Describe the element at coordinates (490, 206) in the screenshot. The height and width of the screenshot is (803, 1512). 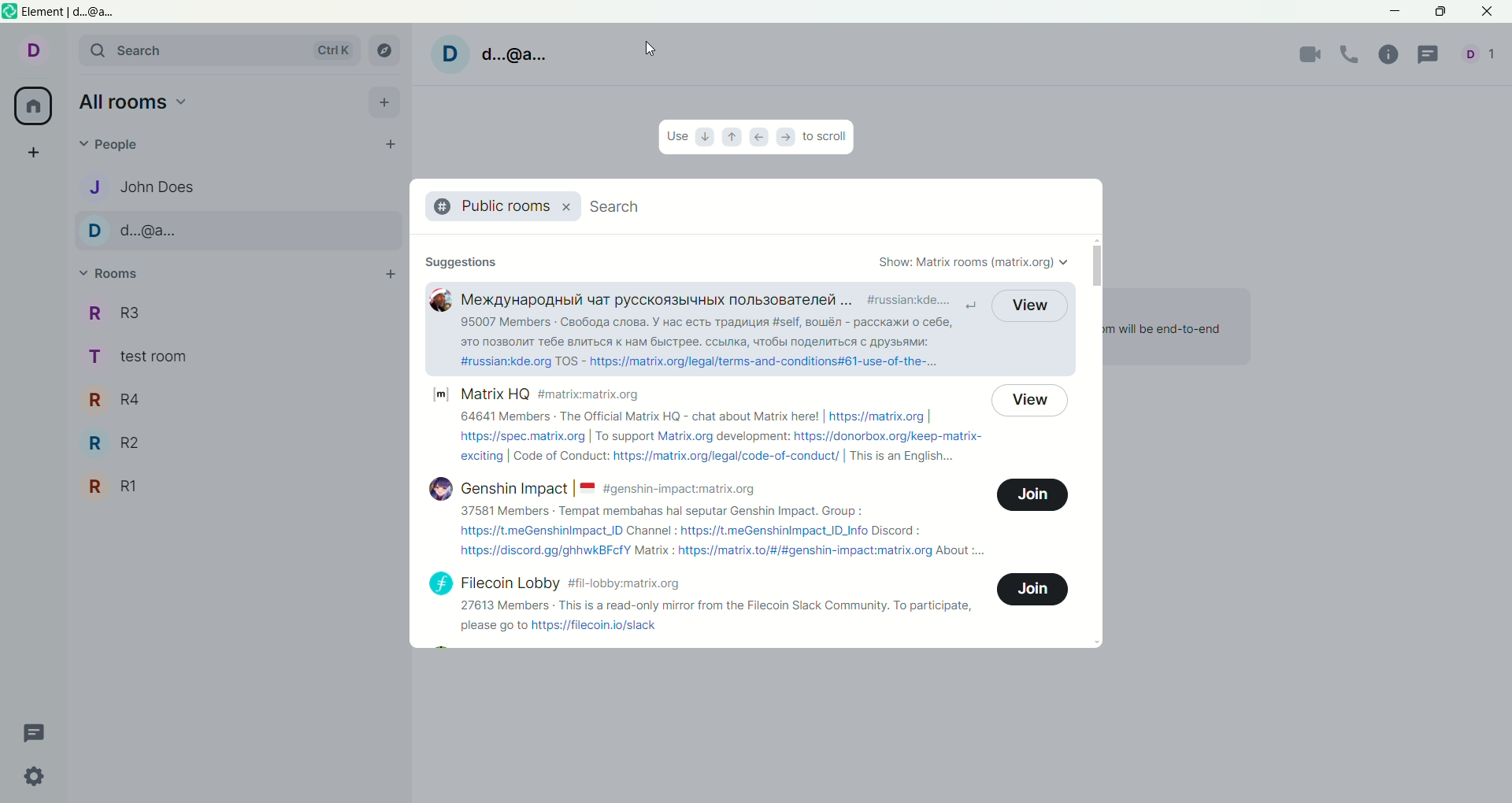
I see `public rooms` at that location.